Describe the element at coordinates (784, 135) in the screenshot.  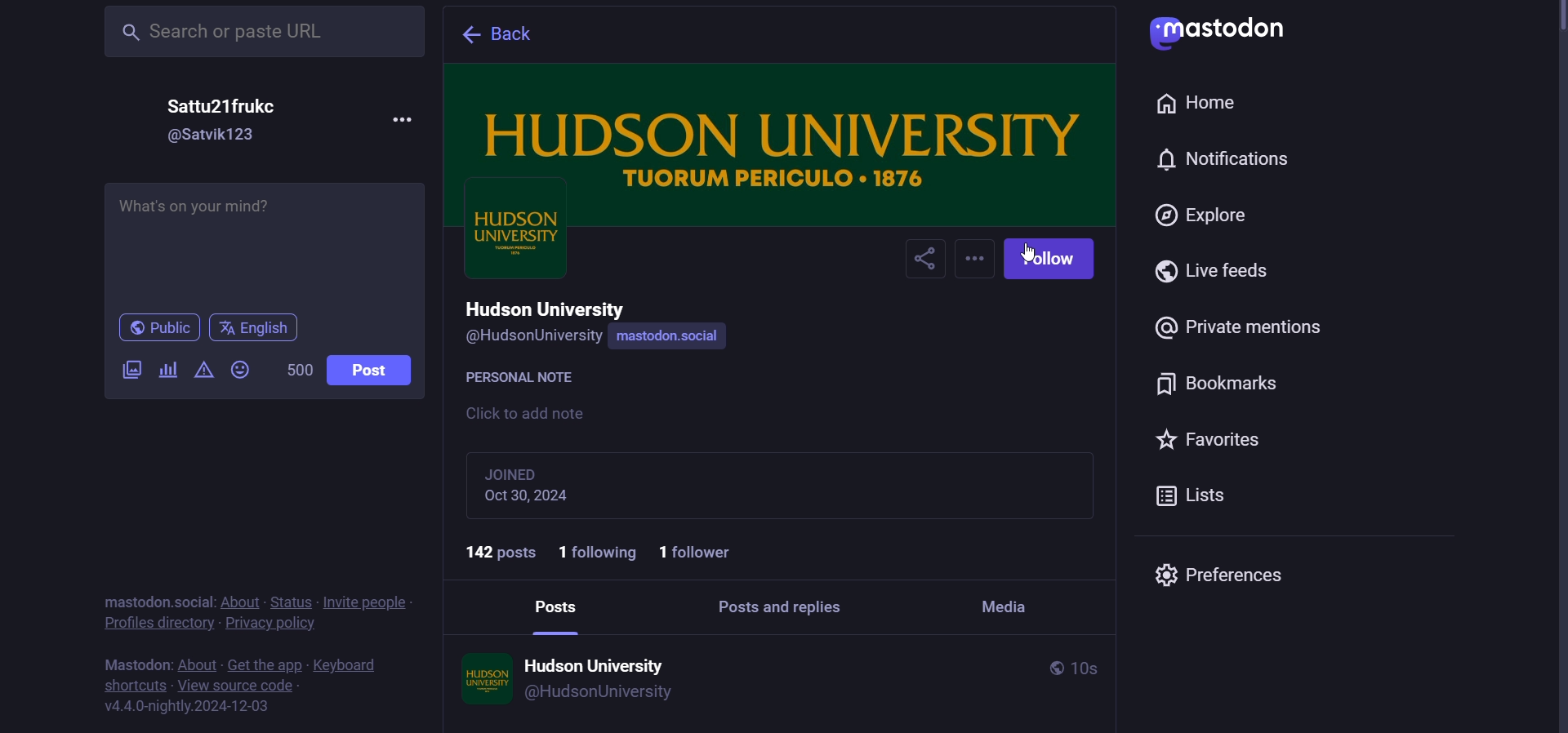
I see `cover picture` at that location.